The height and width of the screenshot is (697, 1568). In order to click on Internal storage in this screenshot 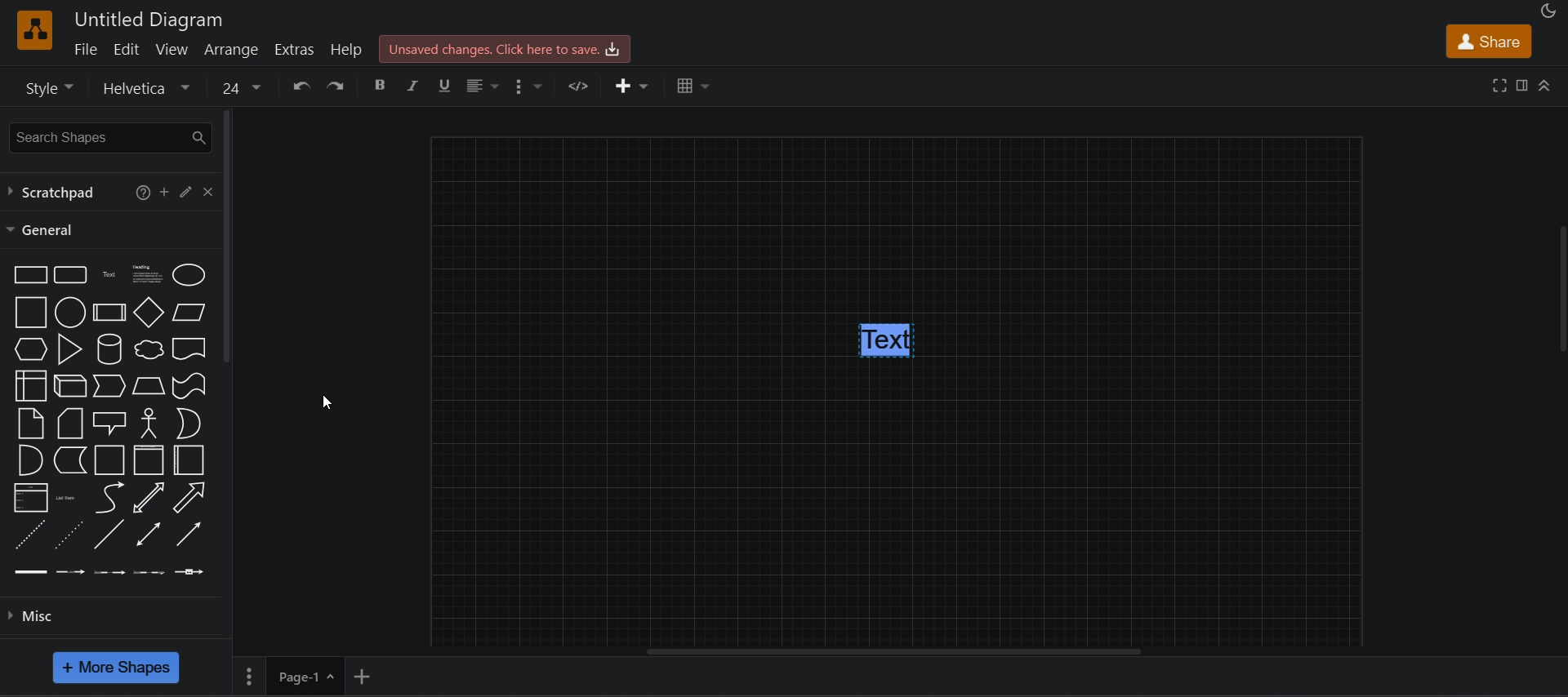, I will do `click(32, 385)`.